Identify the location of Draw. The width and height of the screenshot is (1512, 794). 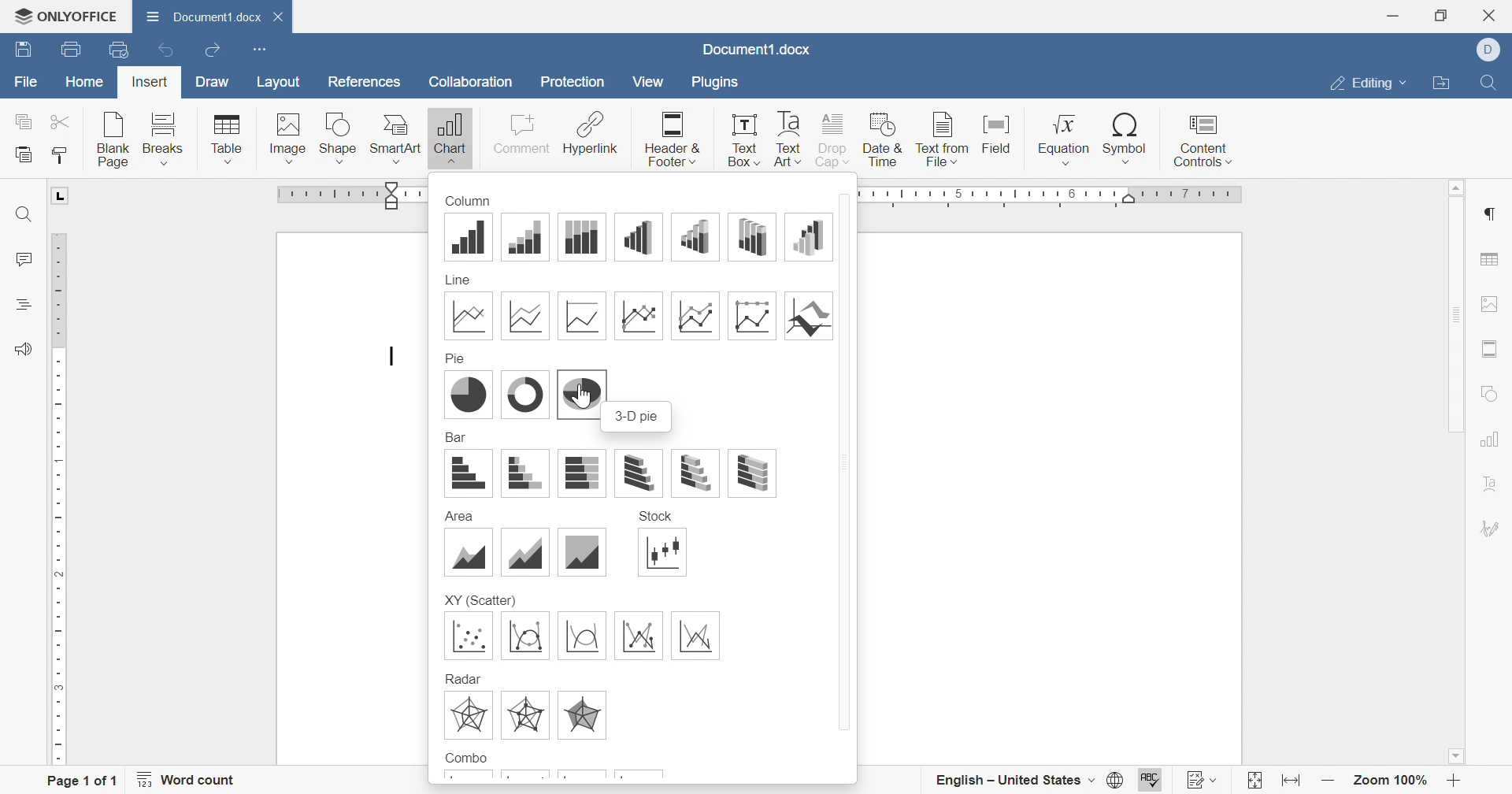
(214, 80).